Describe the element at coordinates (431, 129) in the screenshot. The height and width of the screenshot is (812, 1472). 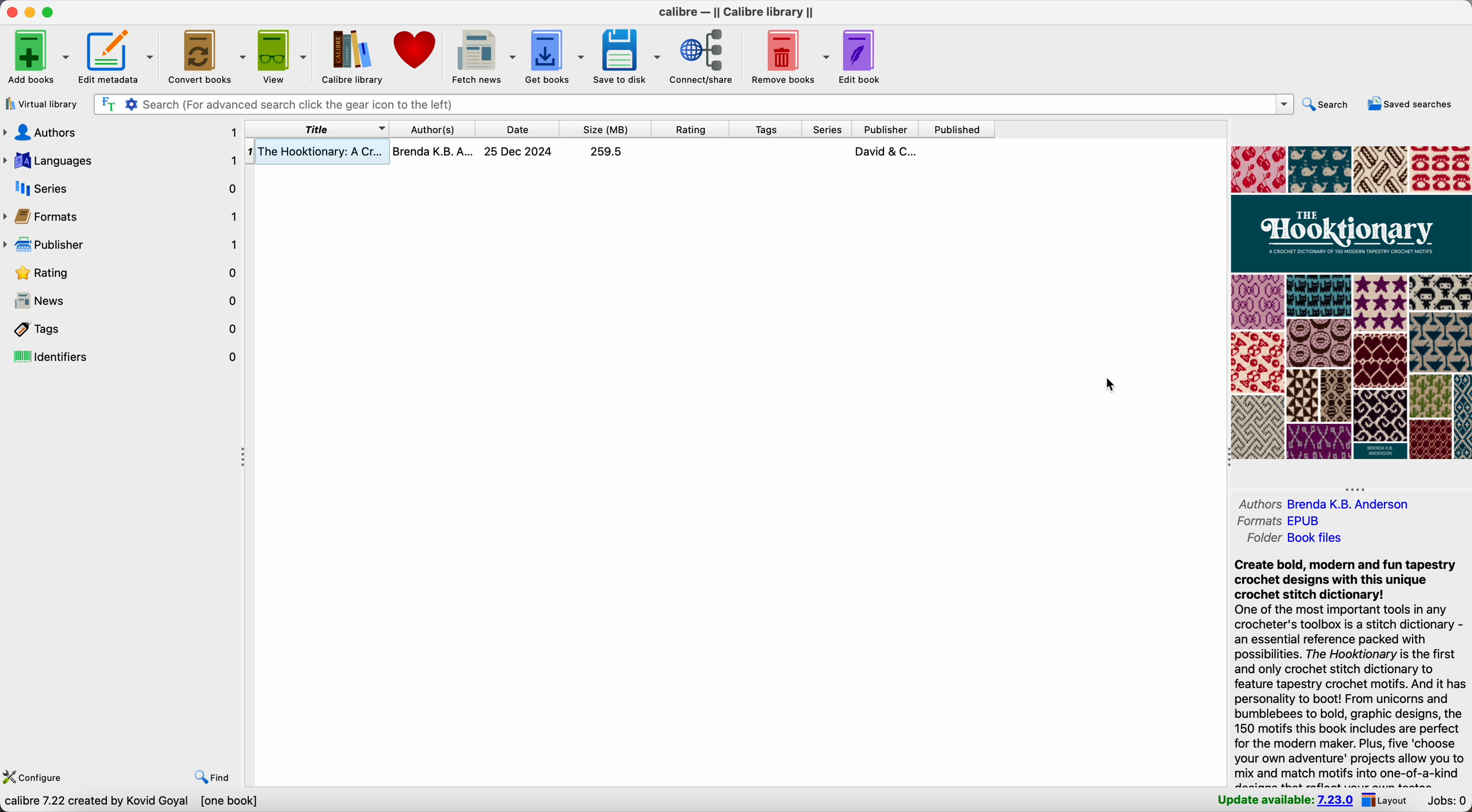
I see `author(s)` at that location.